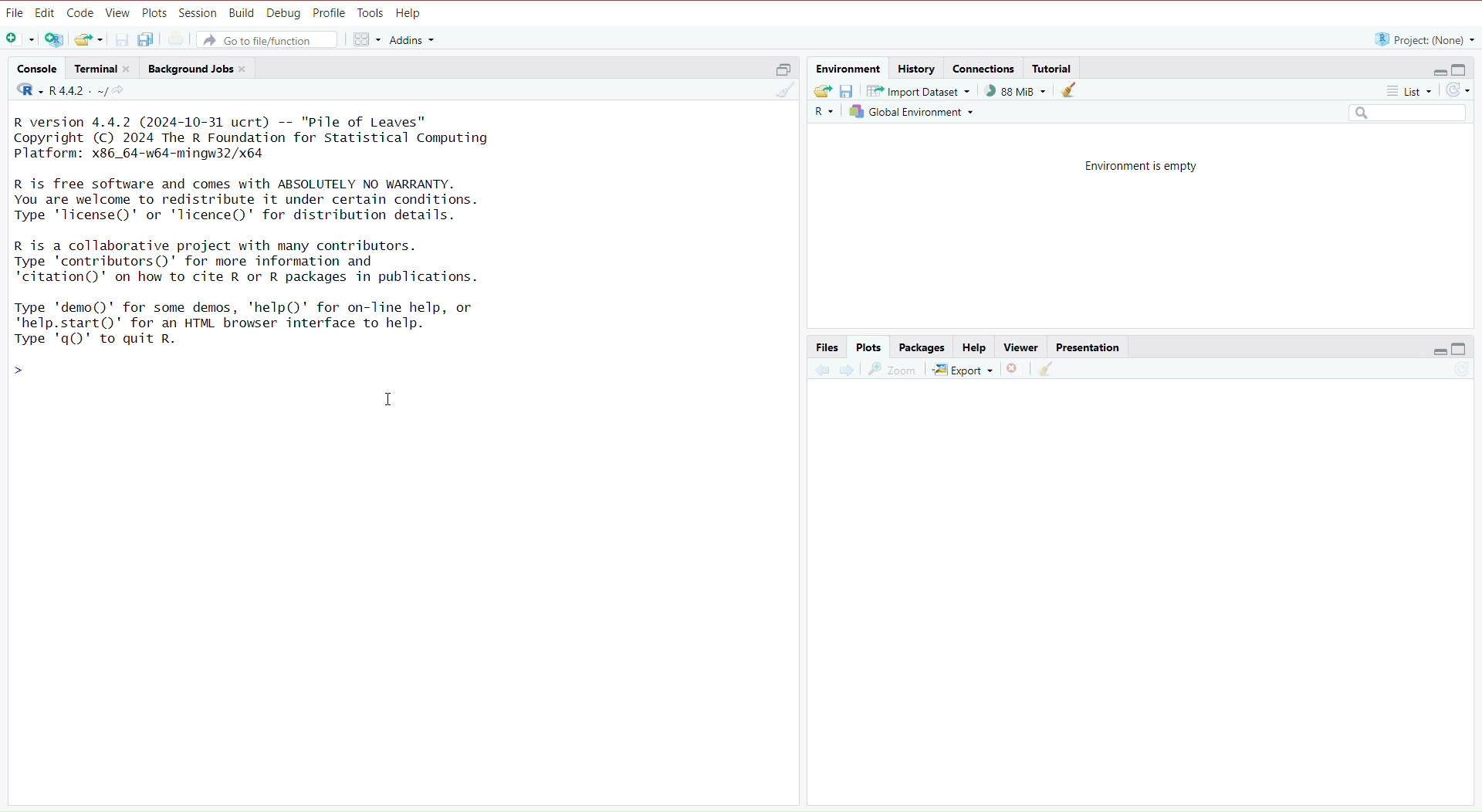  Describe the element at coordinates (827, 347) in the screenshot. I see `files` at that location.